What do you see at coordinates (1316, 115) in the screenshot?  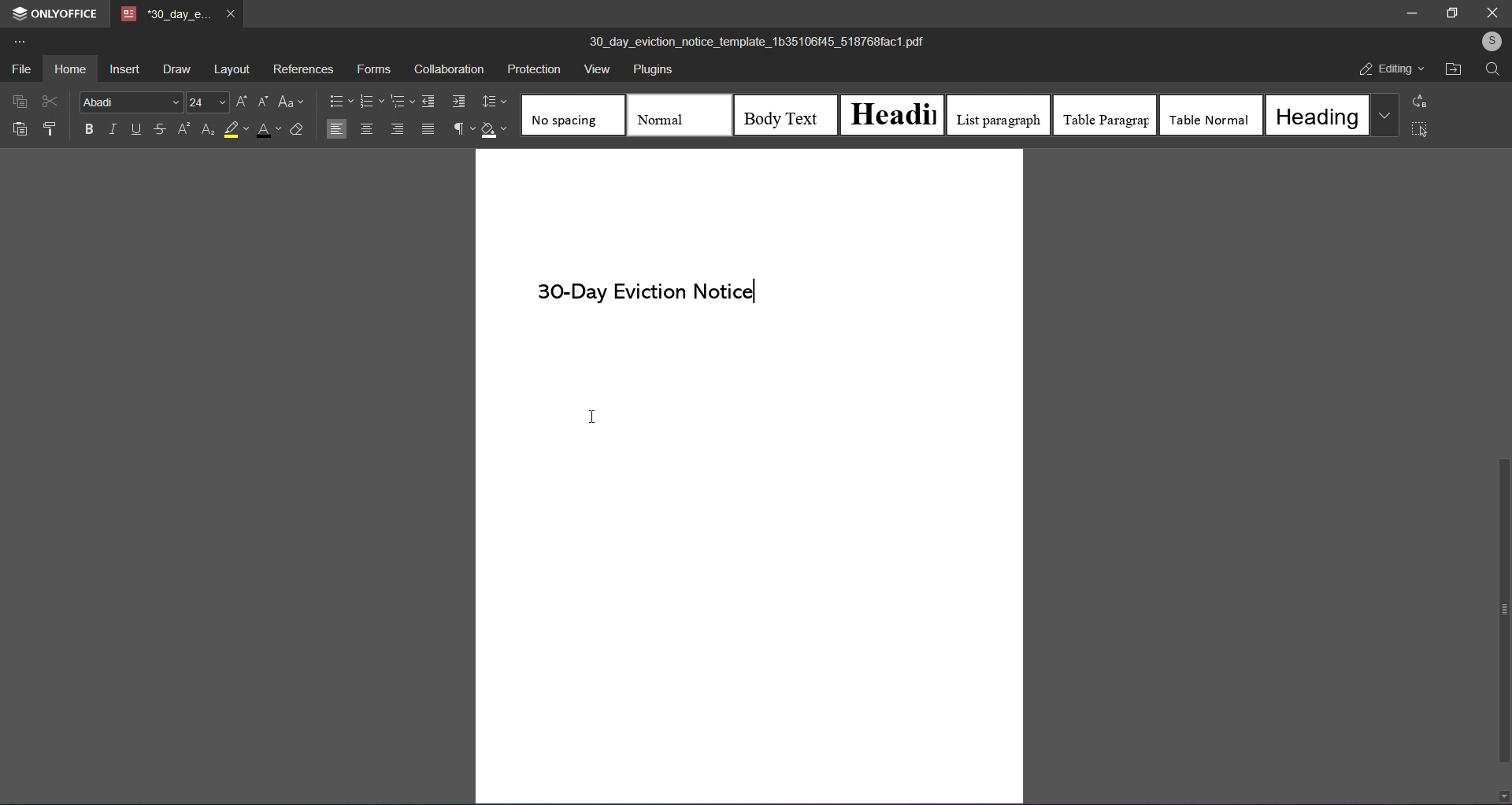 I see `heading` at bounding box center [1316, 115].